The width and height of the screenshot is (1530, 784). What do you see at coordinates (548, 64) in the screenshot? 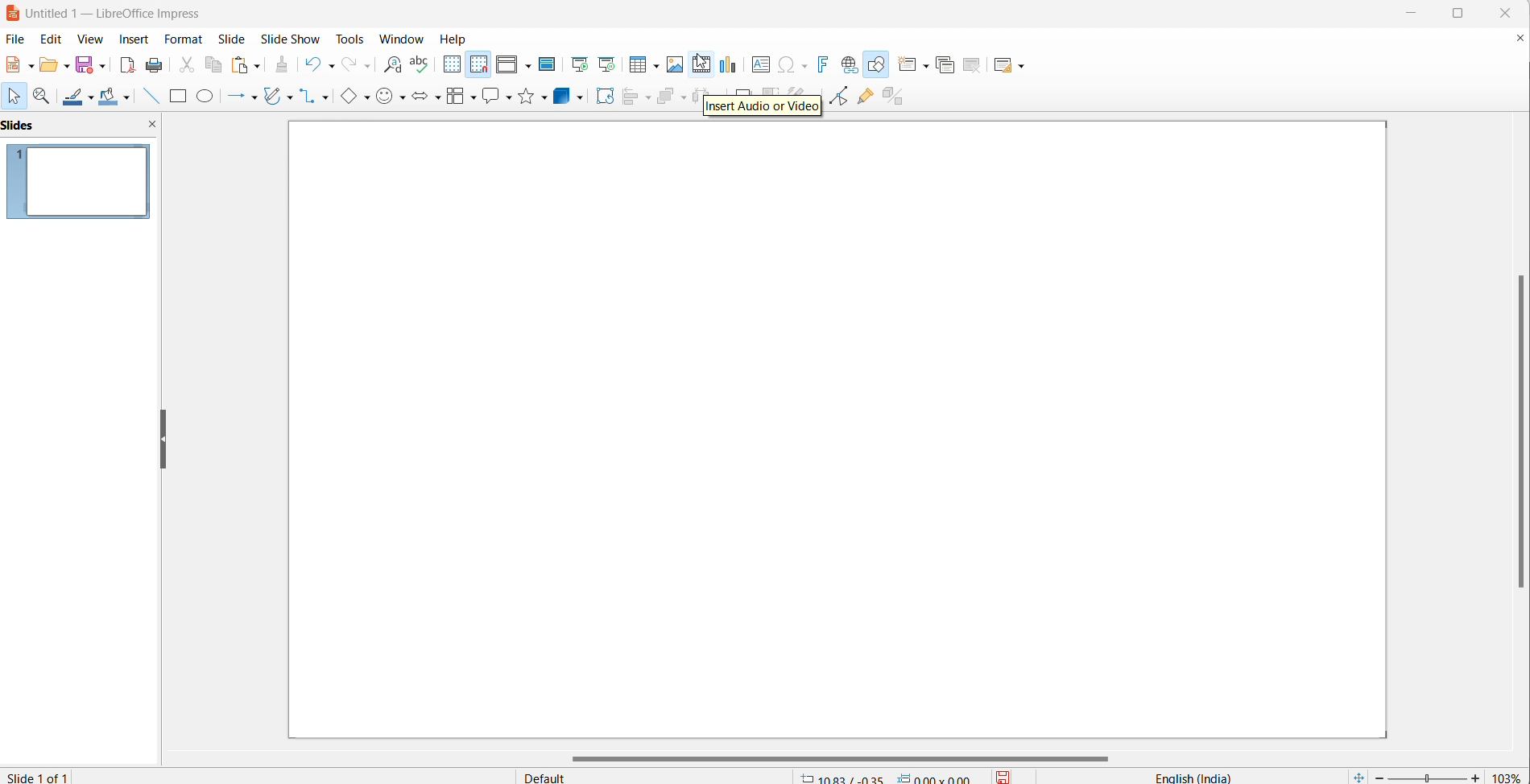
I see `master slide options` at bounding box center [548, 64].